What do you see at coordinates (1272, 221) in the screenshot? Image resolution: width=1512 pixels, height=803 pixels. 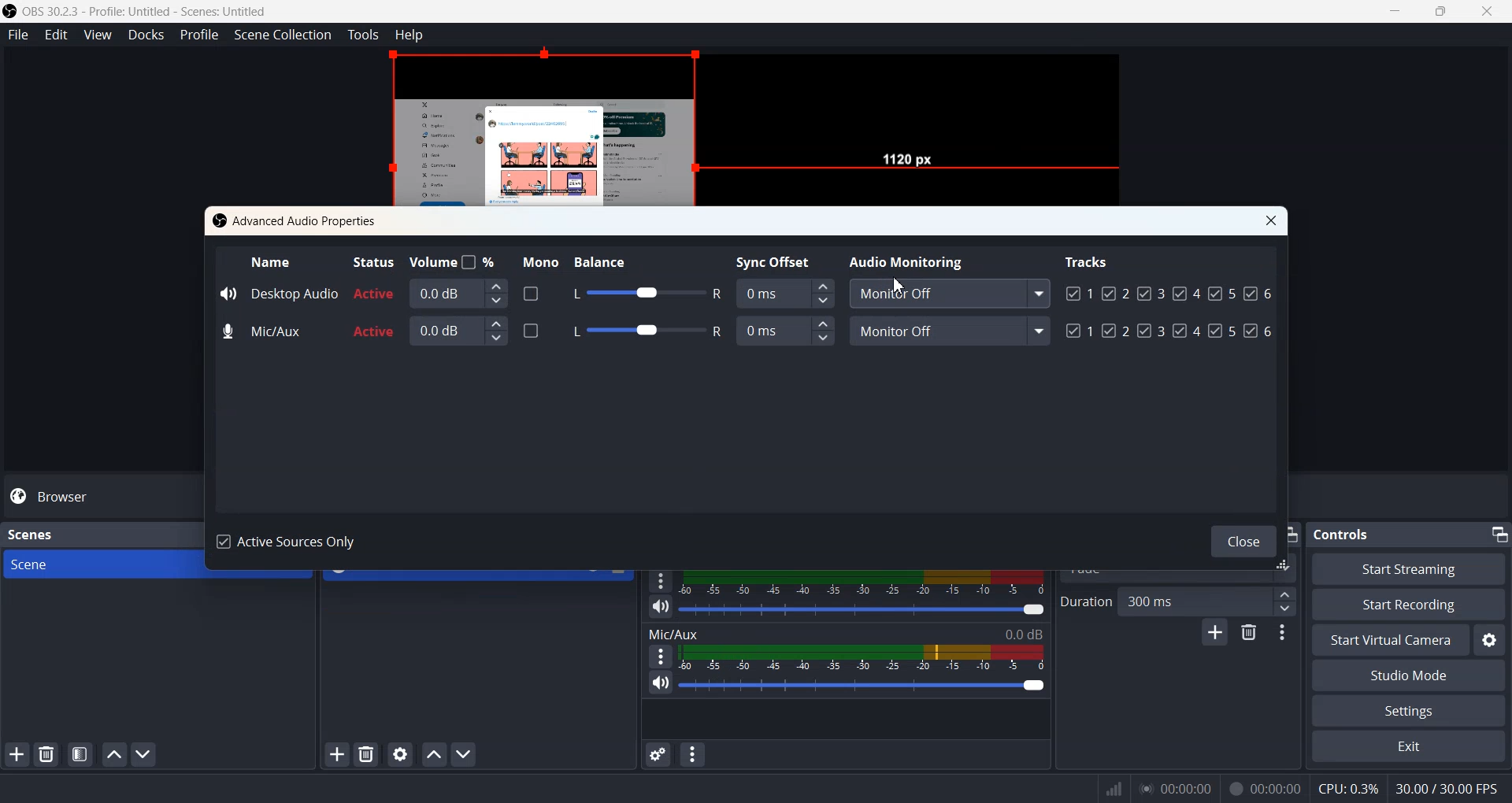 I see `Close` at bounding box center [1272, 221].